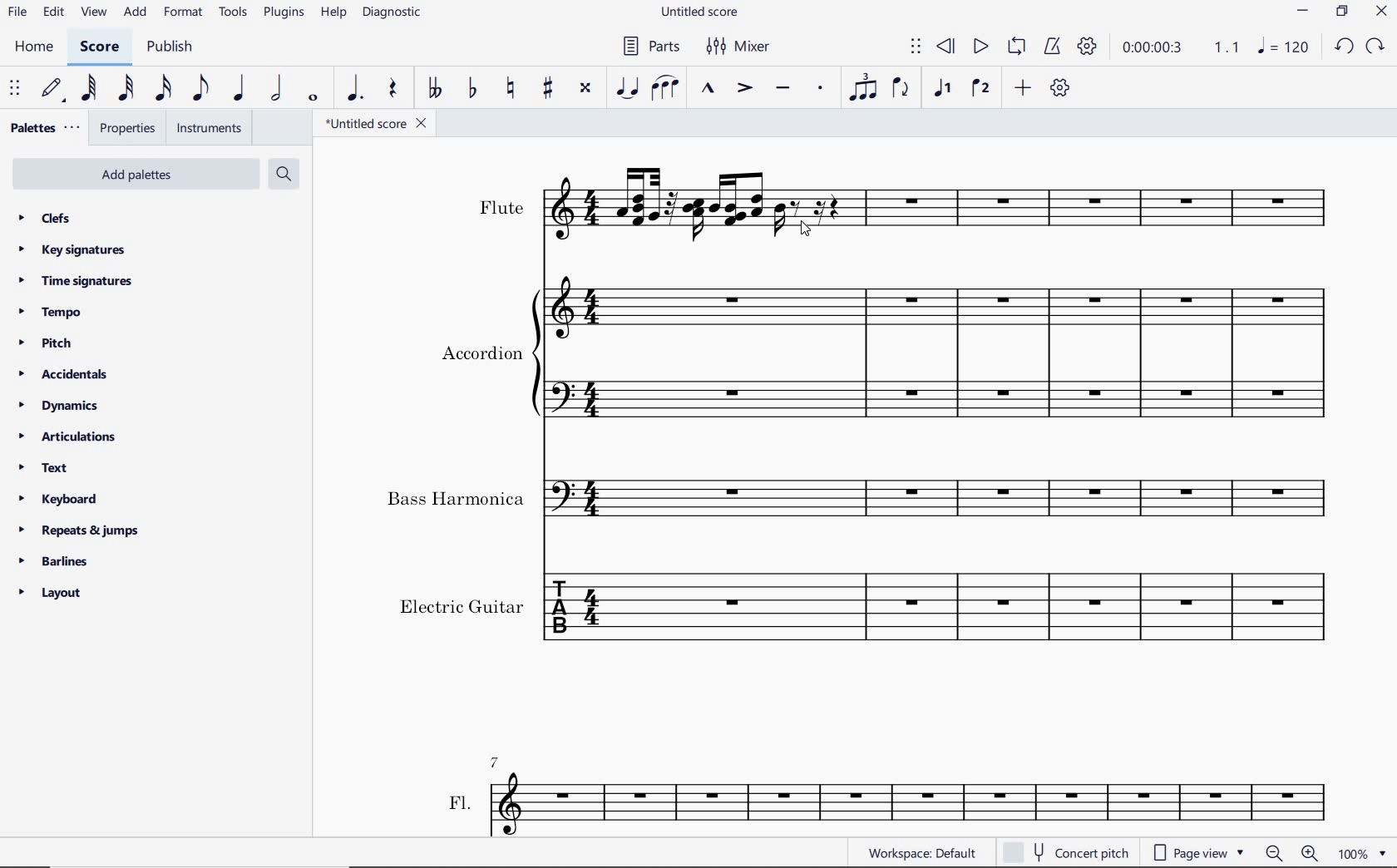  I want to click on flip direction, so click(901, 89).